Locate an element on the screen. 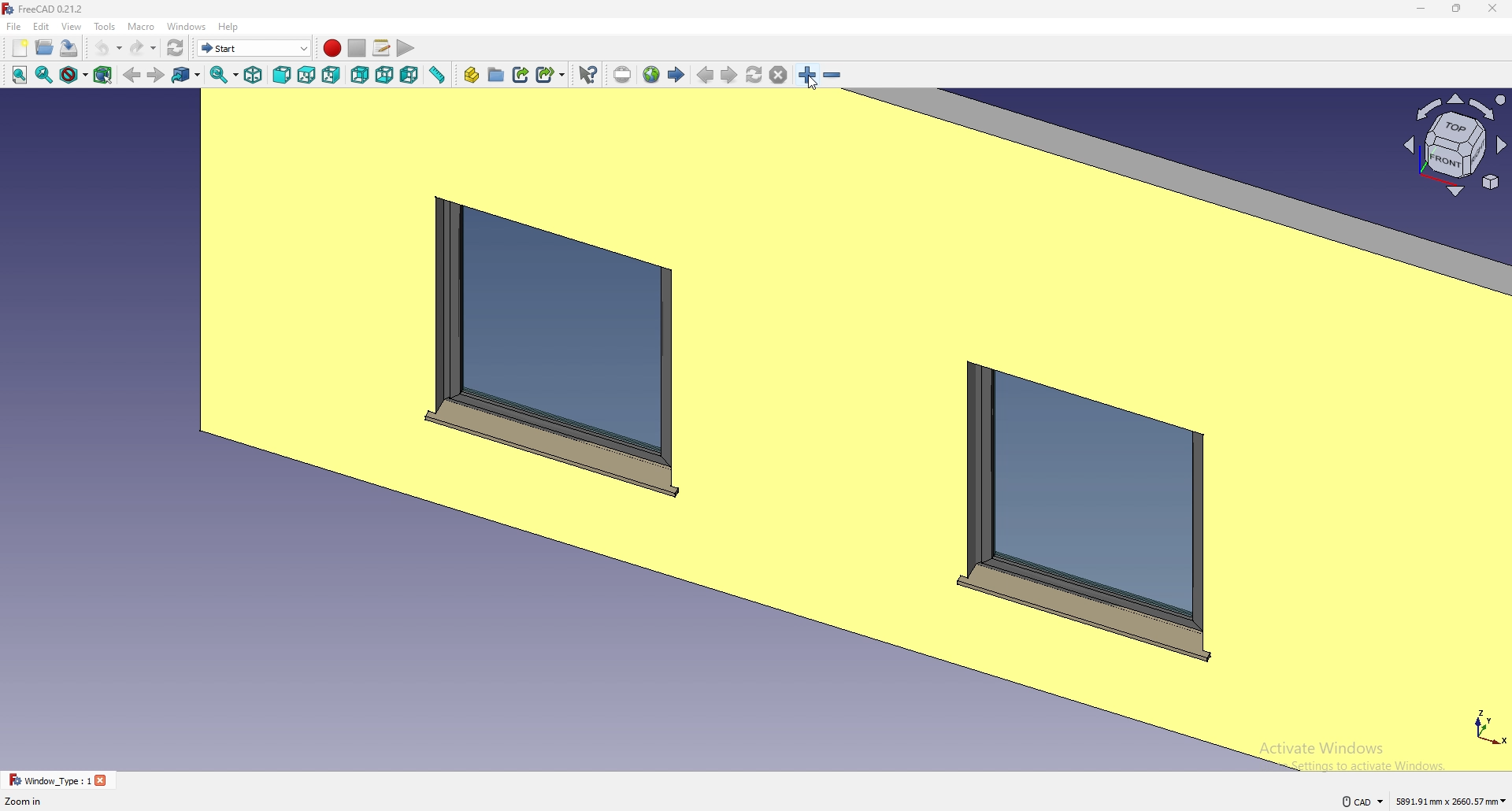  close is located at coordinates (1493, 9).